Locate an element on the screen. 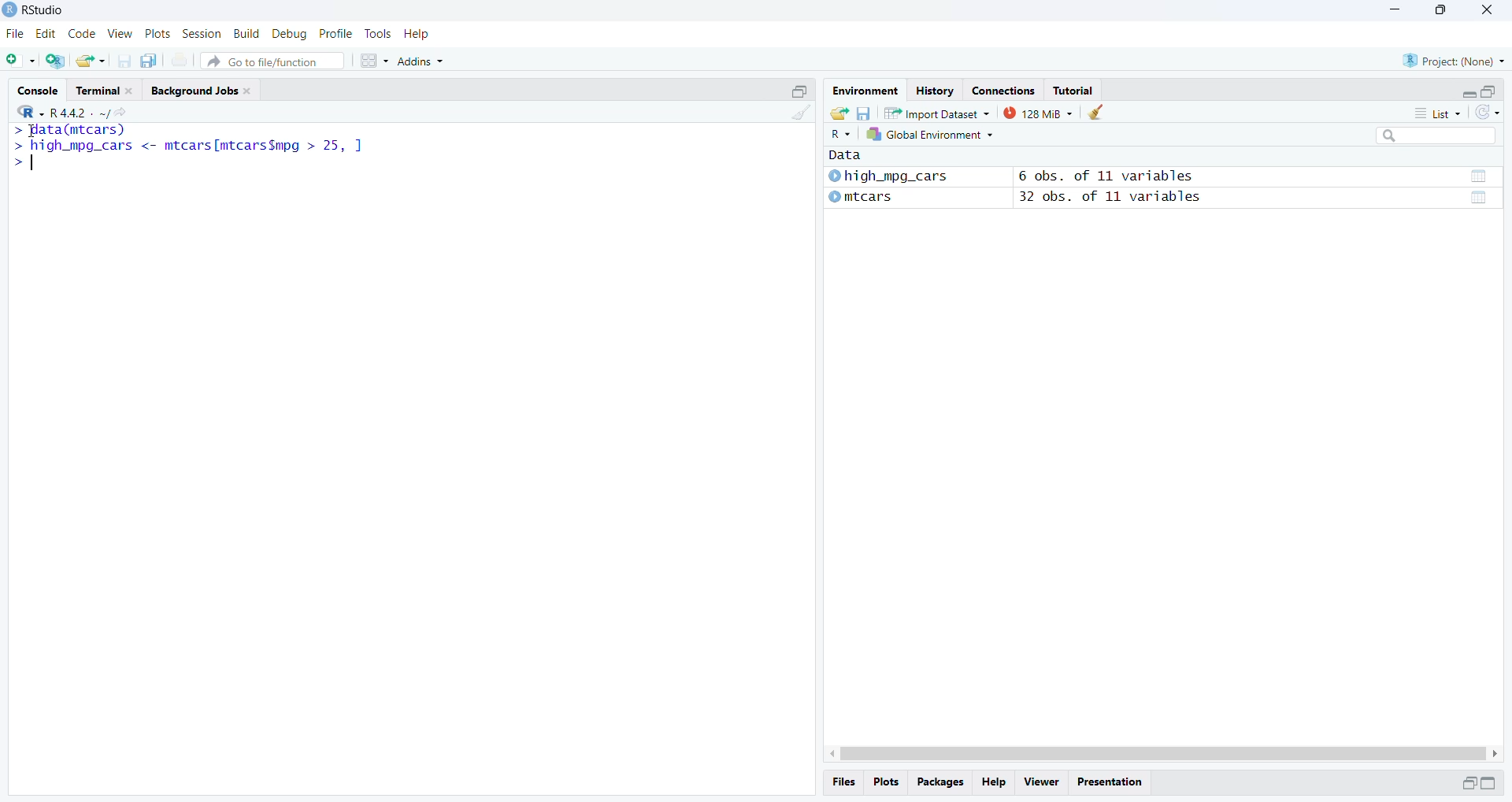  Help is located at coordinates (416, 33).